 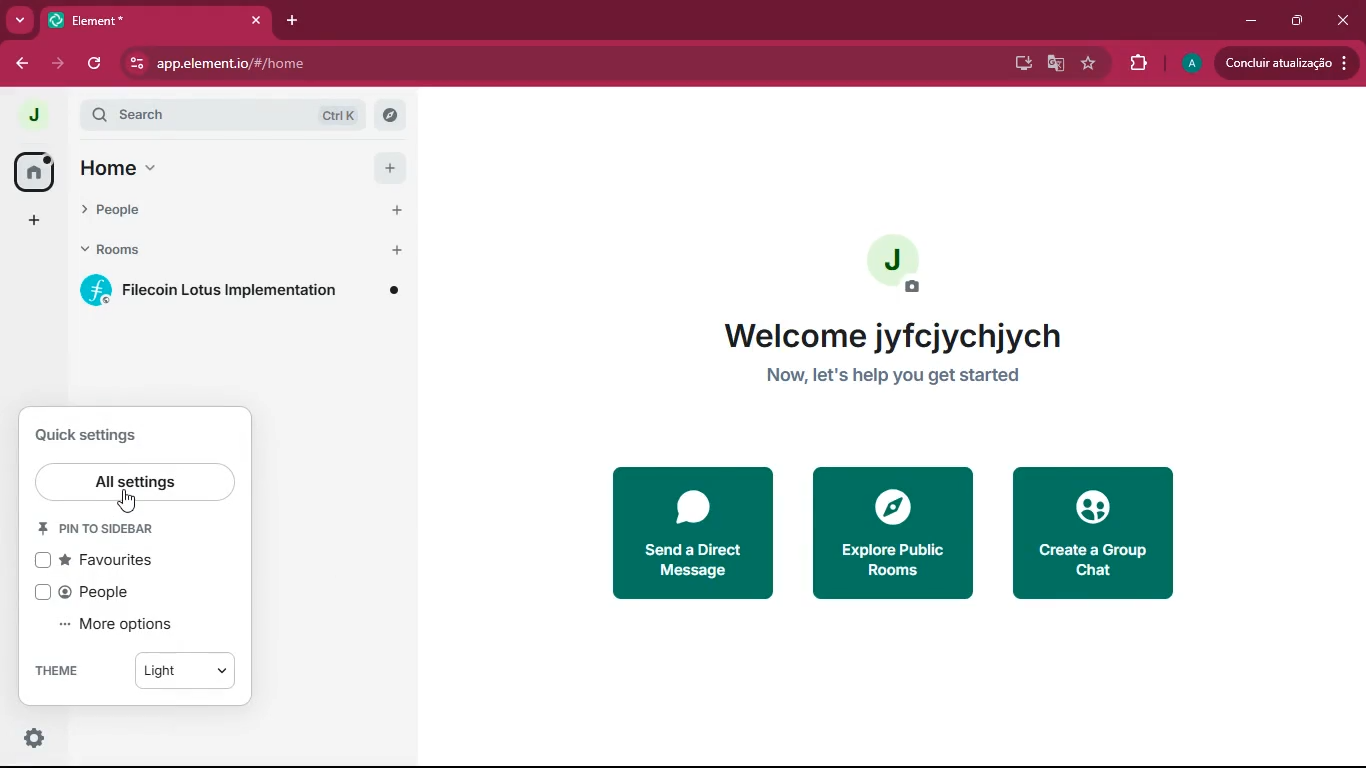 I want to click on home, so click(x=31, y=171).